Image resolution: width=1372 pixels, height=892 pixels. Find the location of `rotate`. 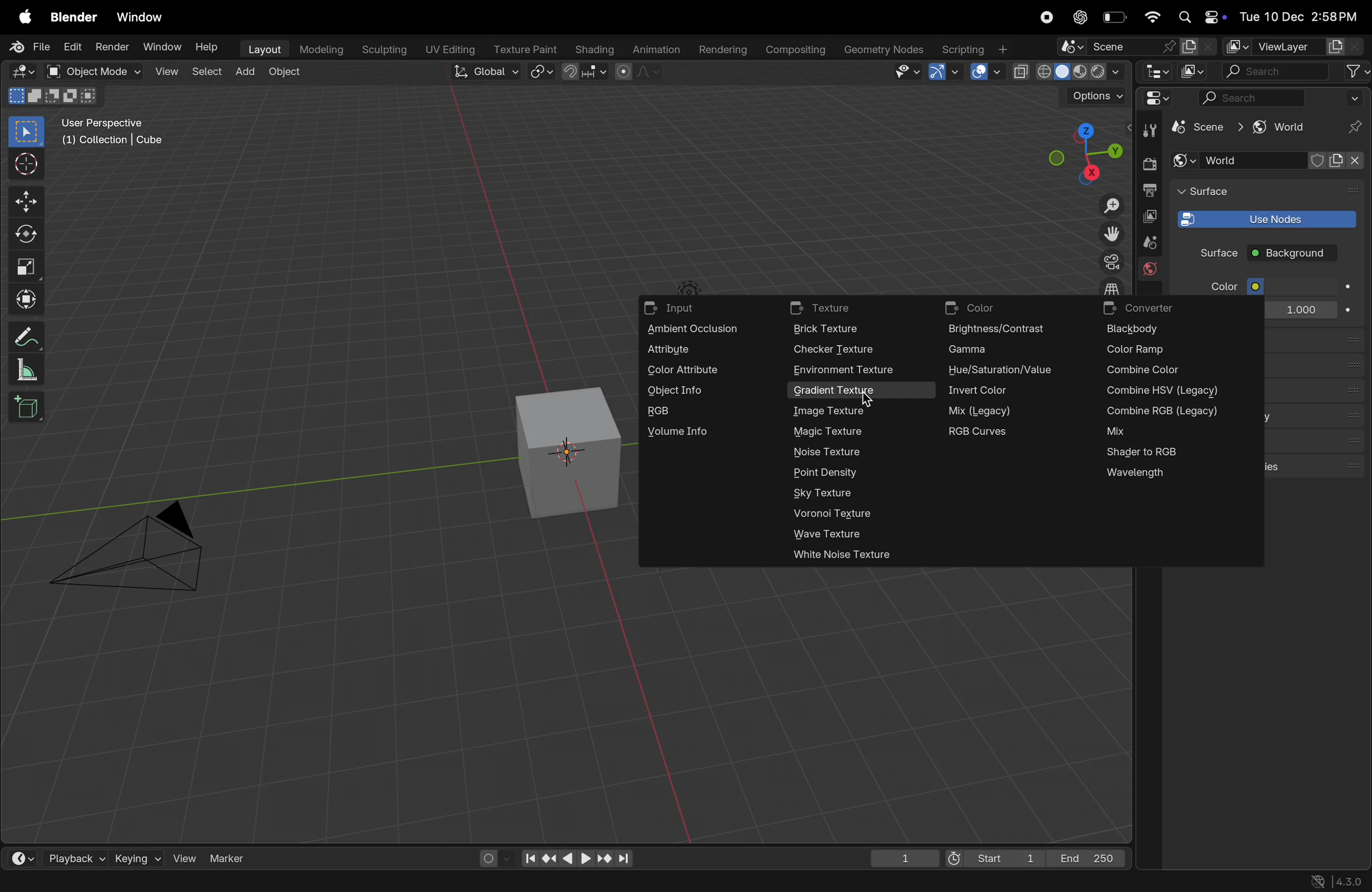

rotate is located at coordinates (29, 233).